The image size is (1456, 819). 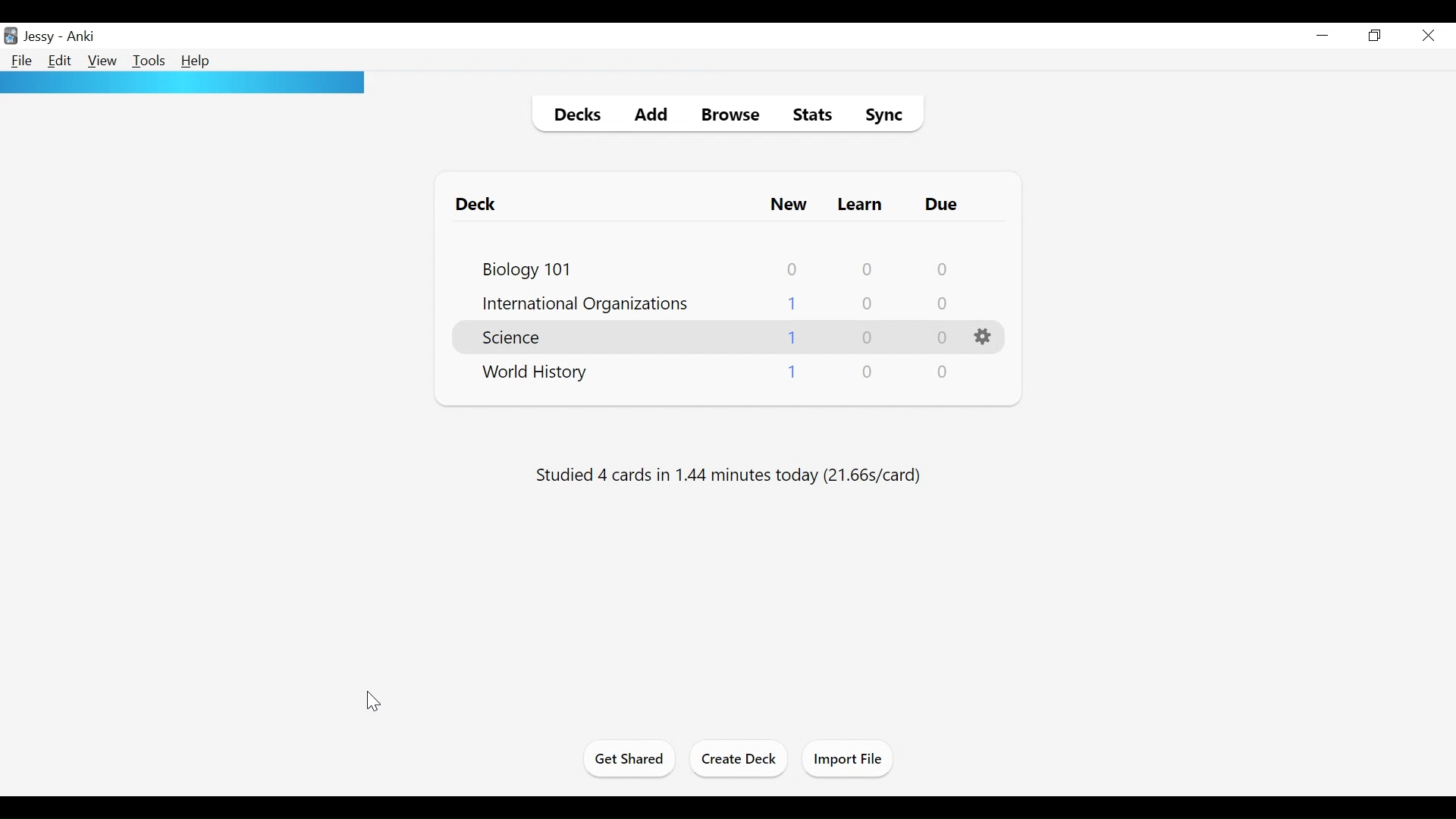 What do you see at coordinates (148, 61) in the screenshot?
I see `Tools` at bounding box center [148, 61].